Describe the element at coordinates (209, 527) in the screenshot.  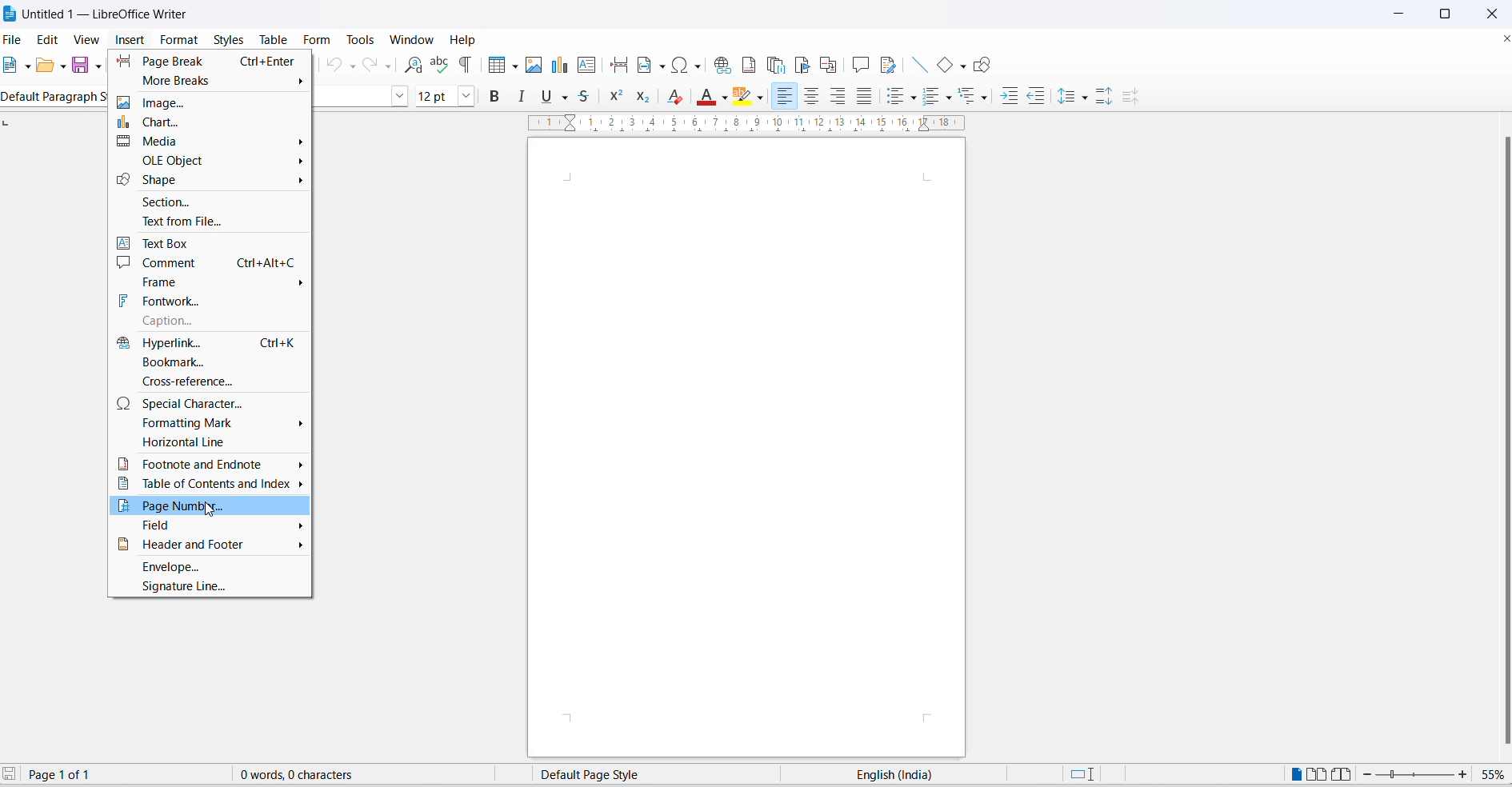
I see `field` at that location.